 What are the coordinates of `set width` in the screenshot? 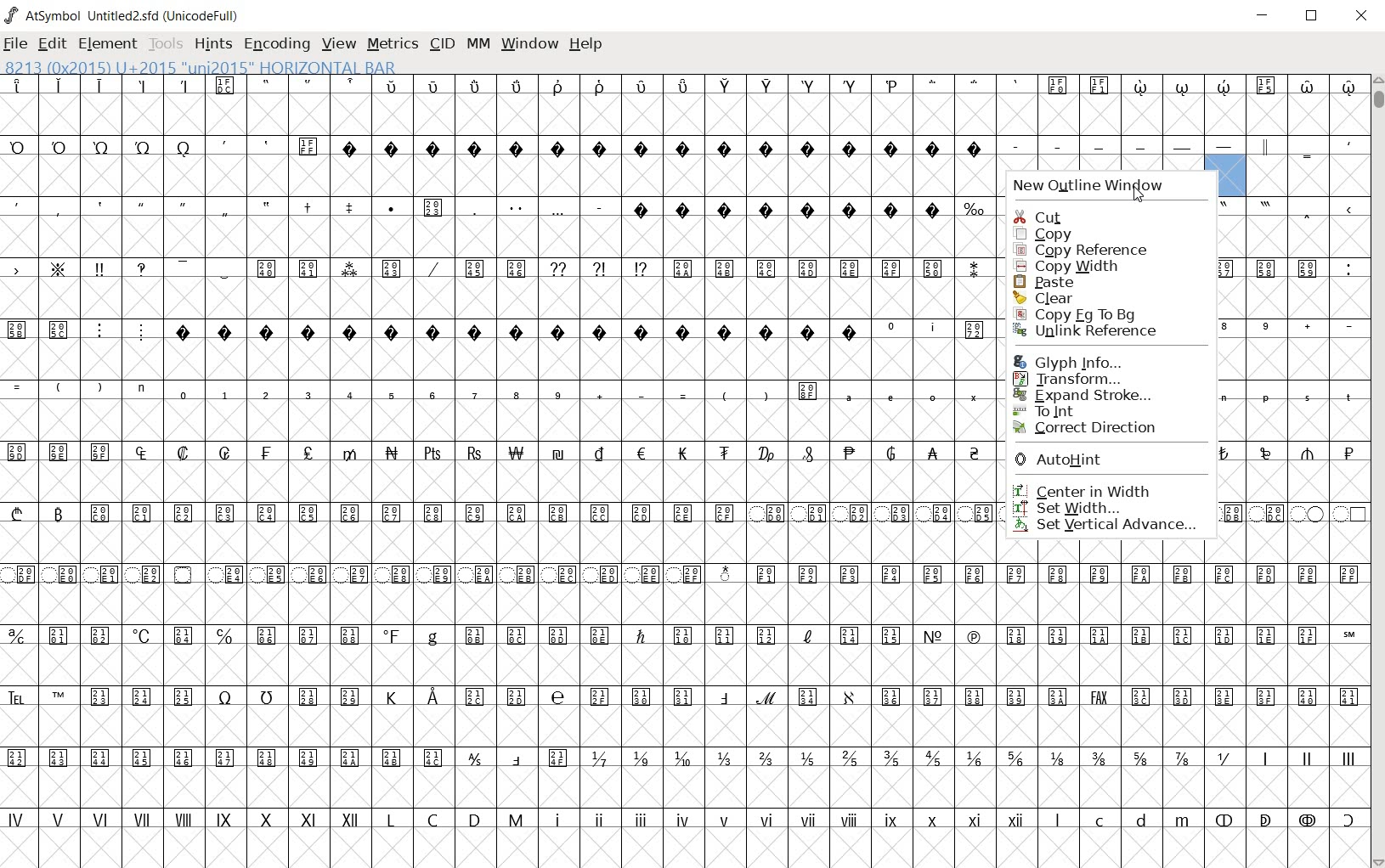 It's located at (1108, 509).